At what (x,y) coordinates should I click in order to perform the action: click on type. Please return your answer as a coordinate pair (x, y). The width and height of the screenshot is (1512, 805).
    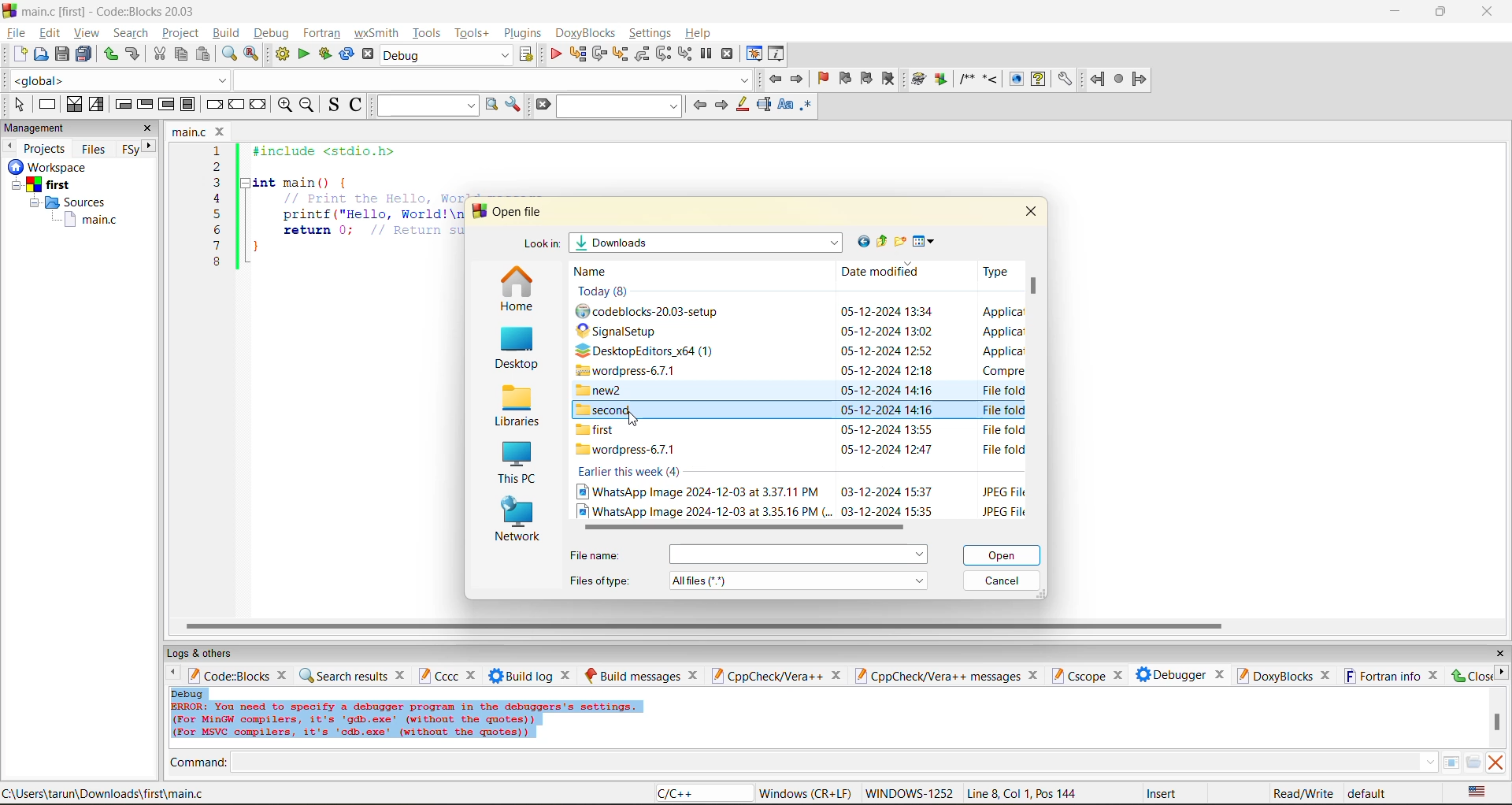
    Looking at the image, I should click on (1002, 510).